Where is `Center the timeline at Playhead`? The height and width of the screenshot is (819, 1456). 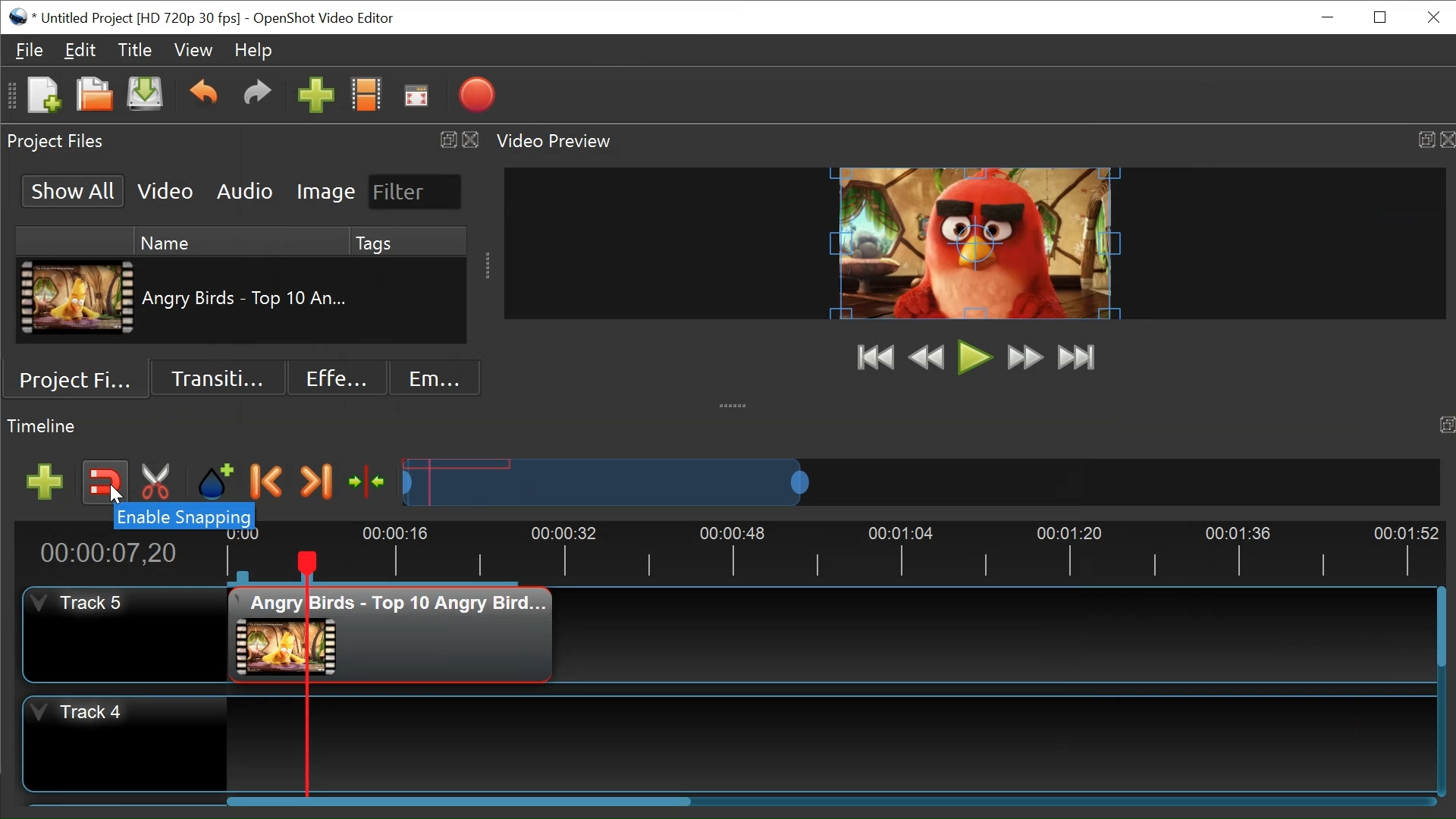 Center the timeline at Playhead is located at coordinates (369, 482).